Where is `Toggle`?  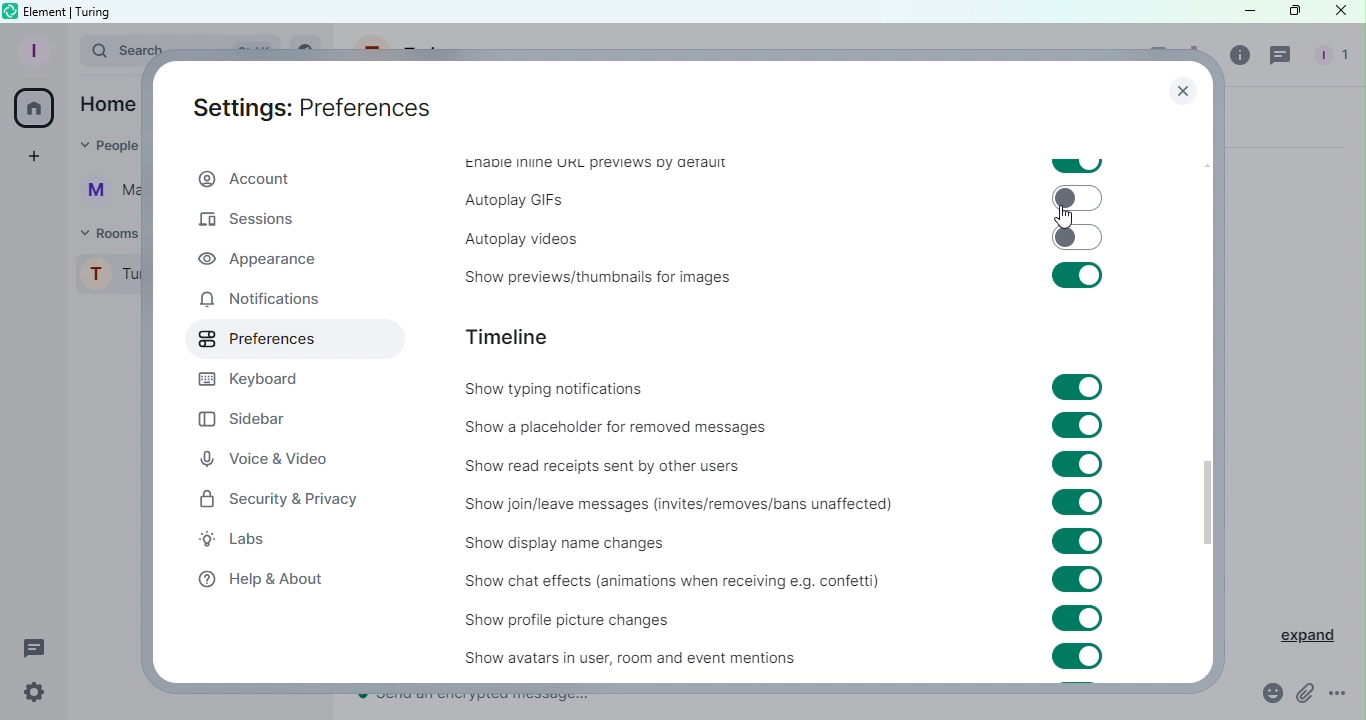 Toggle is located at coordinates (1079, 425).